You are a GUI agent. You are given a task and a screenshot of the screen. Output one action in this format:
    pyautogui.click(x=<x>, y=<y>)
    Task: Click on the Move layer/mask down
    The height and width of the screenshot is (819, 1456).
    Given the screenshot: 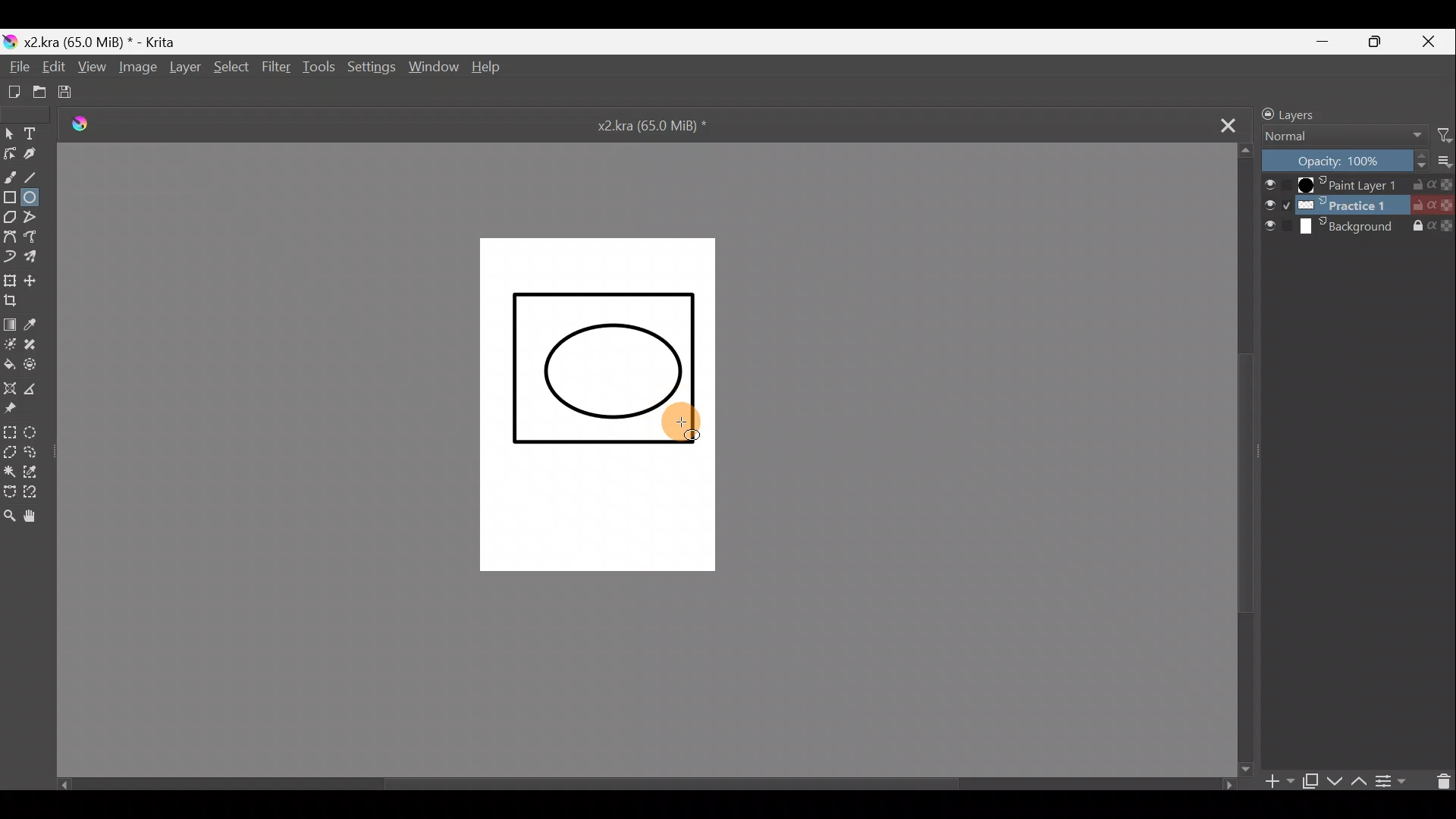 What is the action you would take?
    pyautogui.click(x=1335, y=776)
    